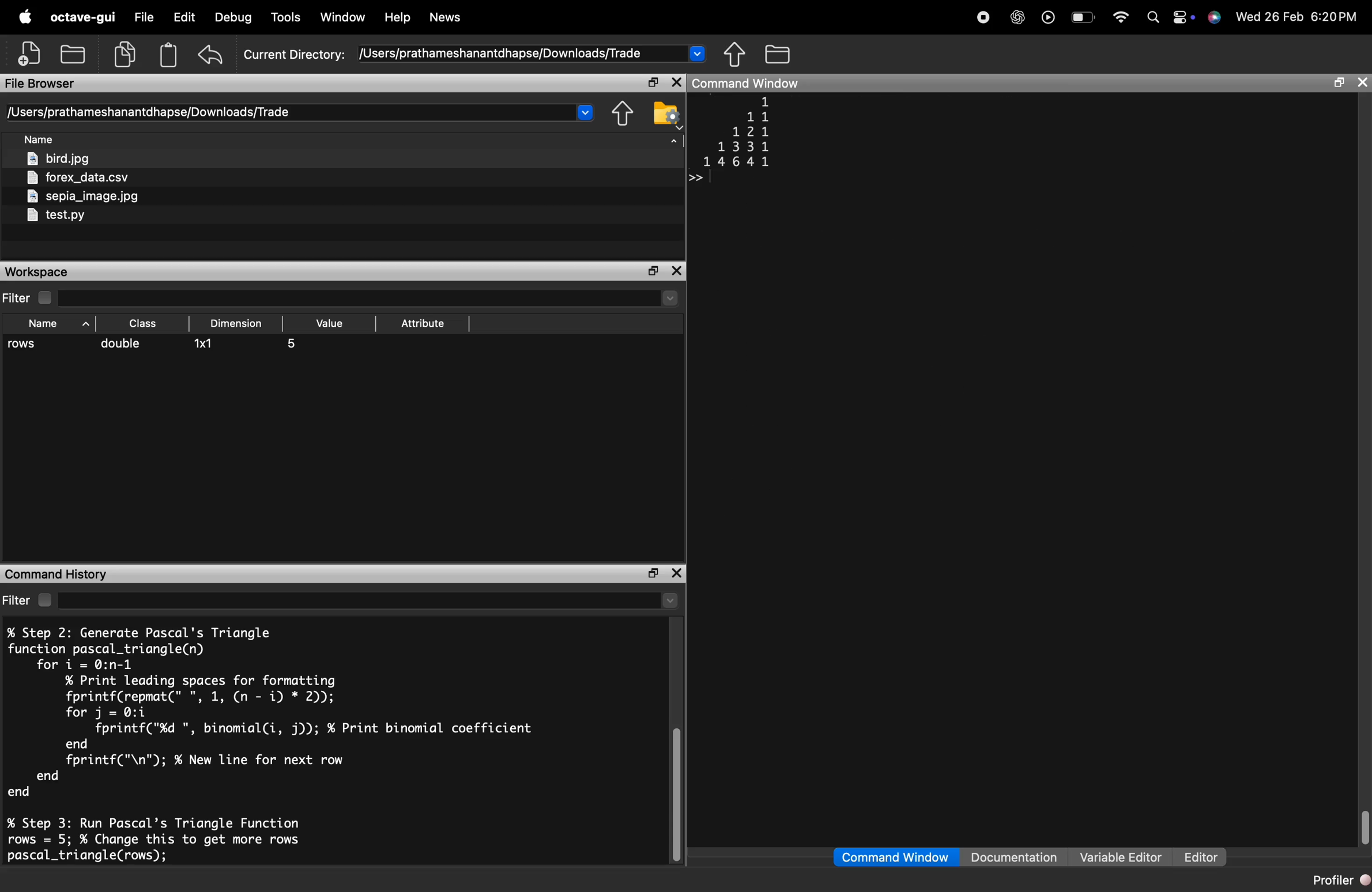  I want to click on Variable Editor, so click(1122, 856).